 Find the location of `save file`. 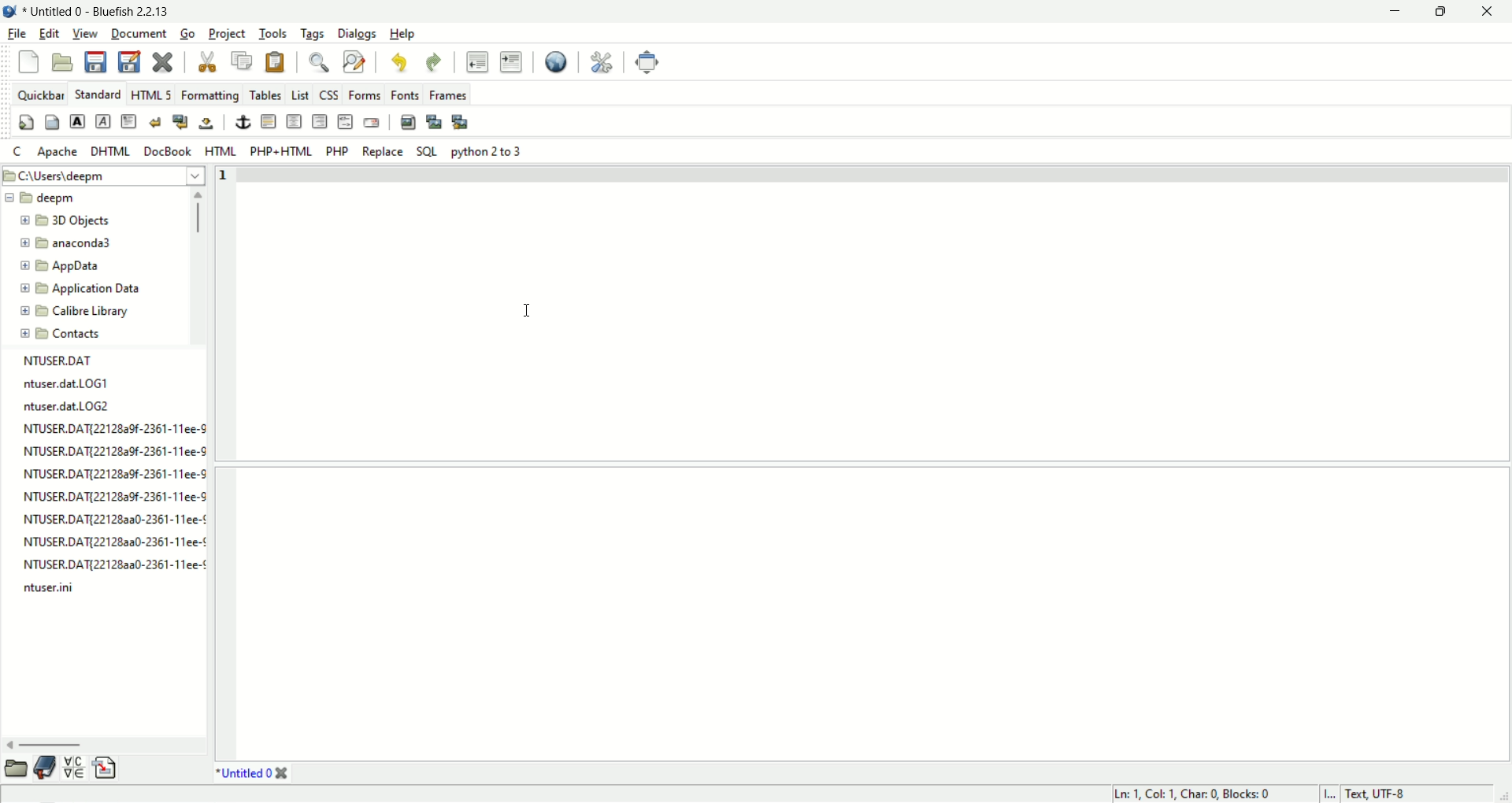

save file is located at coordinates (97, 63).